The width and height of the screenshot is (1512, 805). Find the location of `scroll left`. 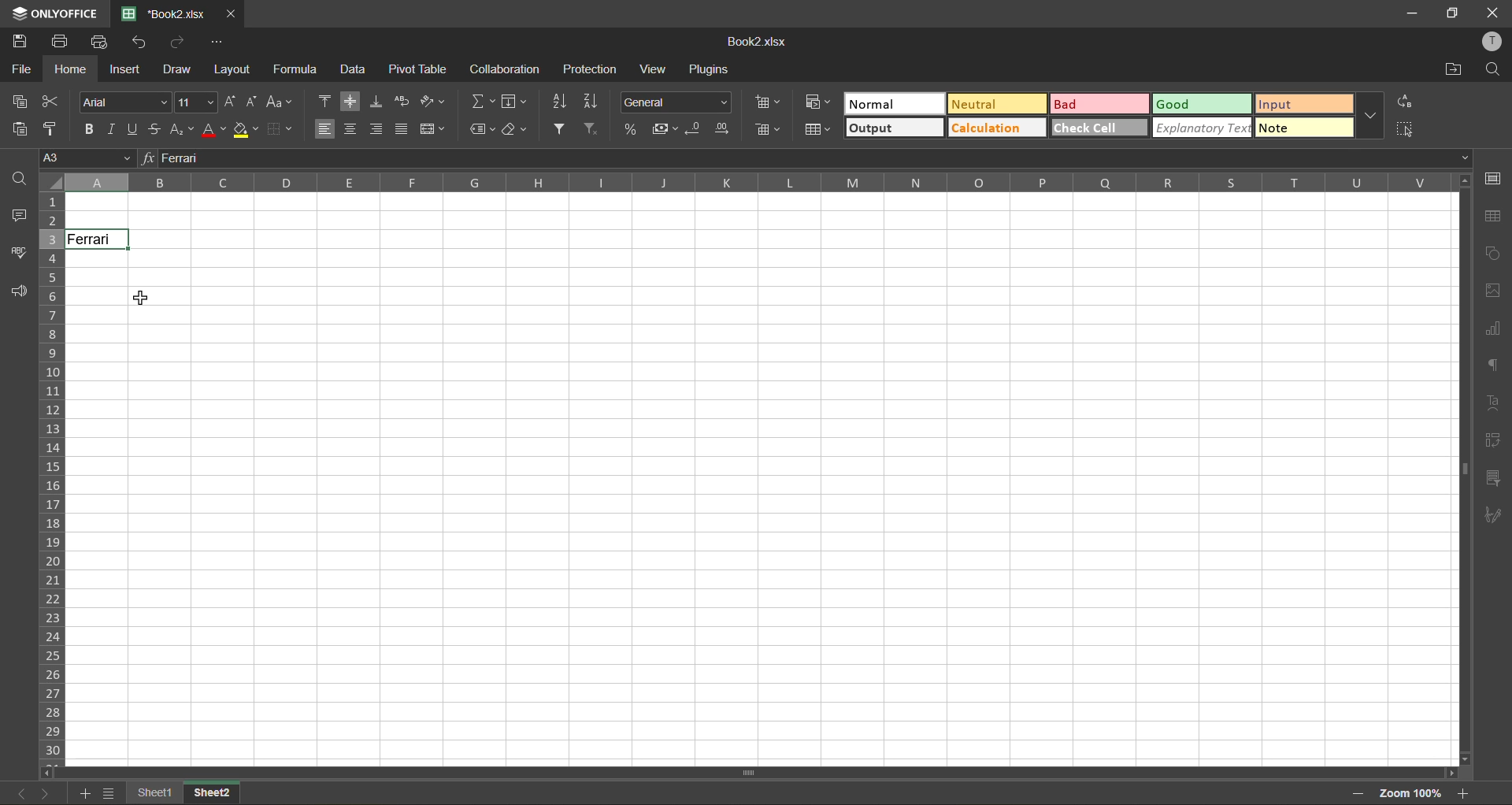

scroll left is located at coordinates (50, 773).